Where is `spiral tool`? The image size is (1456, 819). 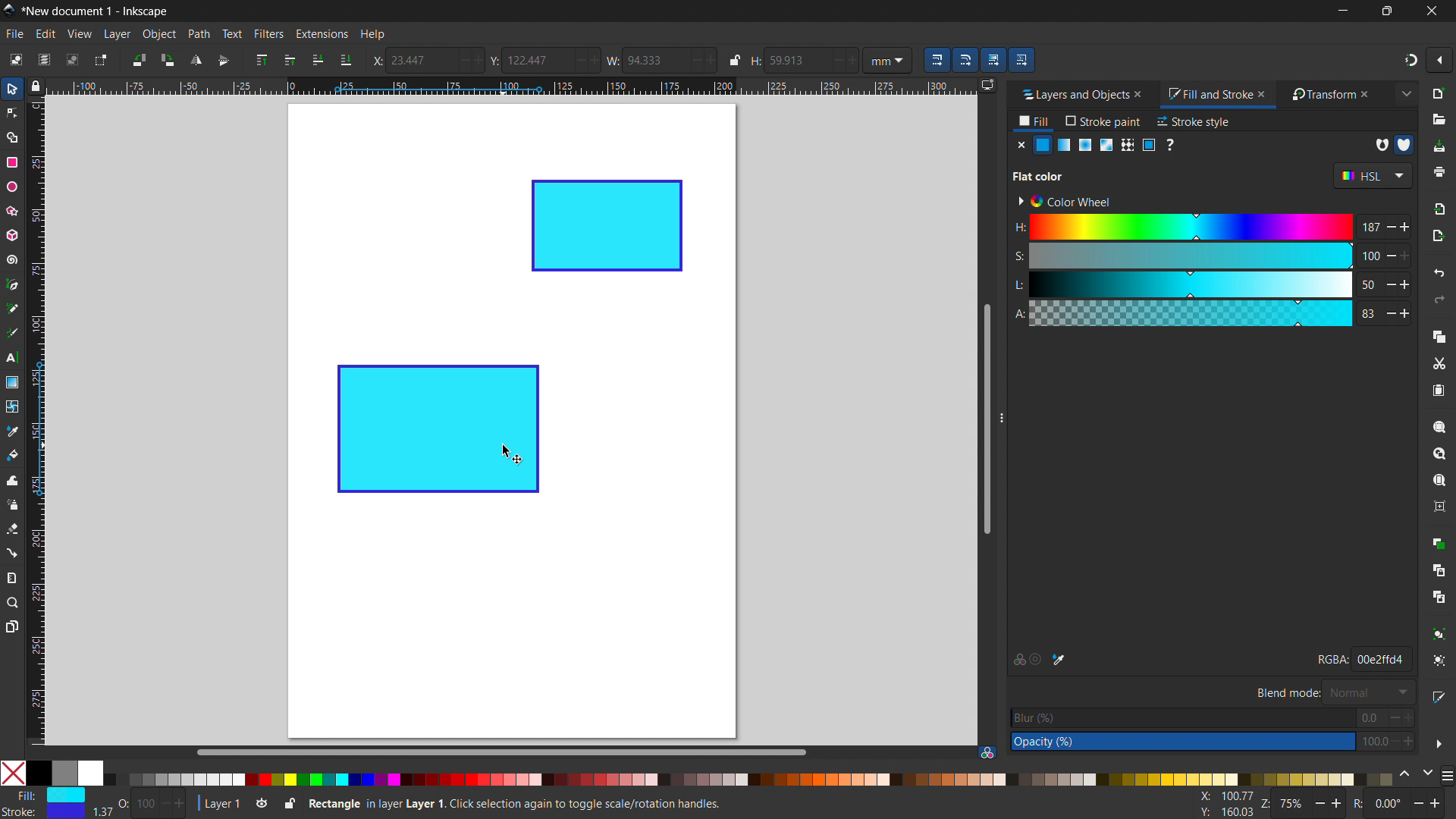 spiral tool is located at coordinates (11, 259).